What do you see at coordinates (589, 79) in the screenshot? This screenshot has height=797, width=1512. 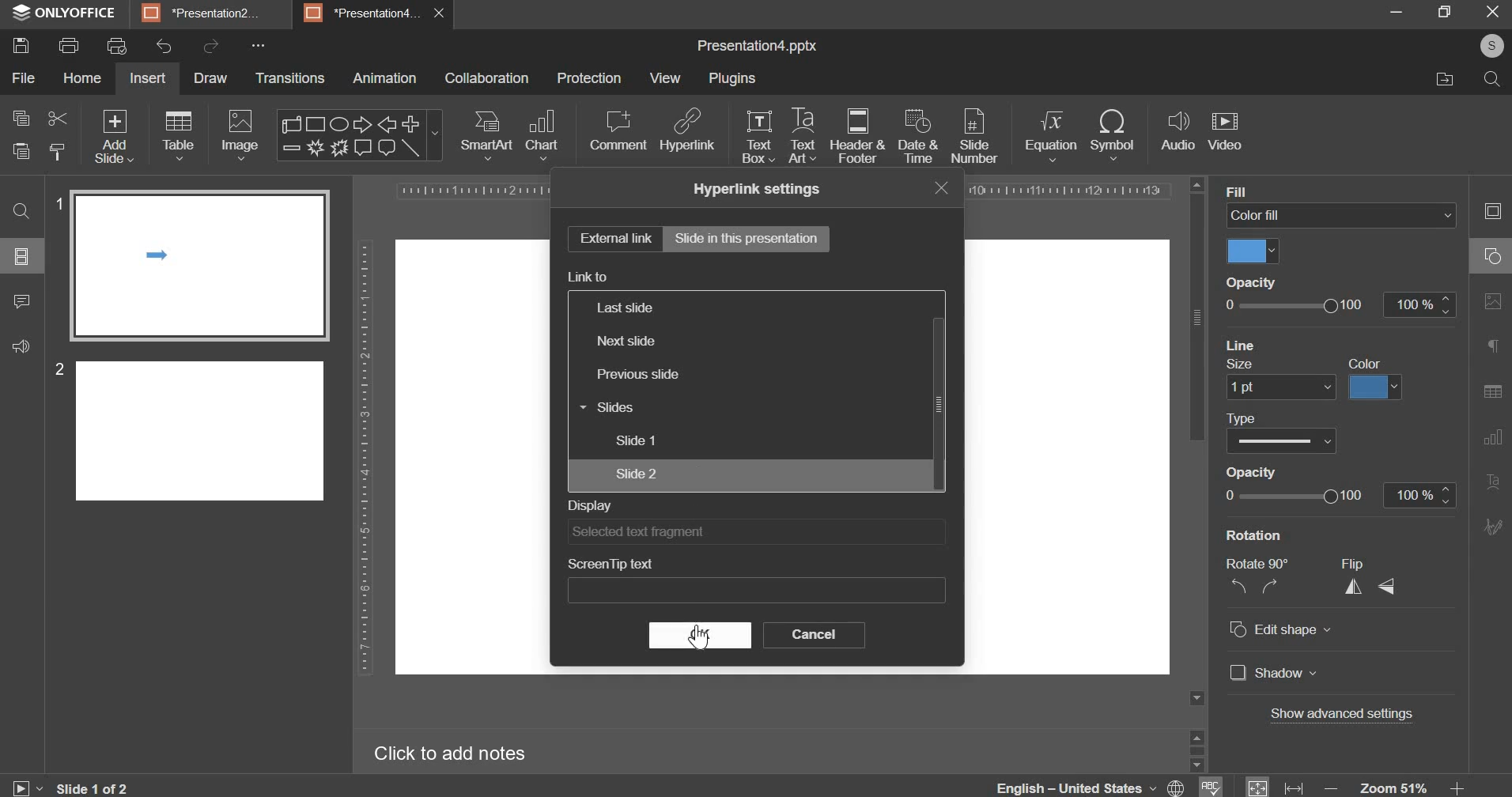 I see `protection` at bounding box center [589, 79].